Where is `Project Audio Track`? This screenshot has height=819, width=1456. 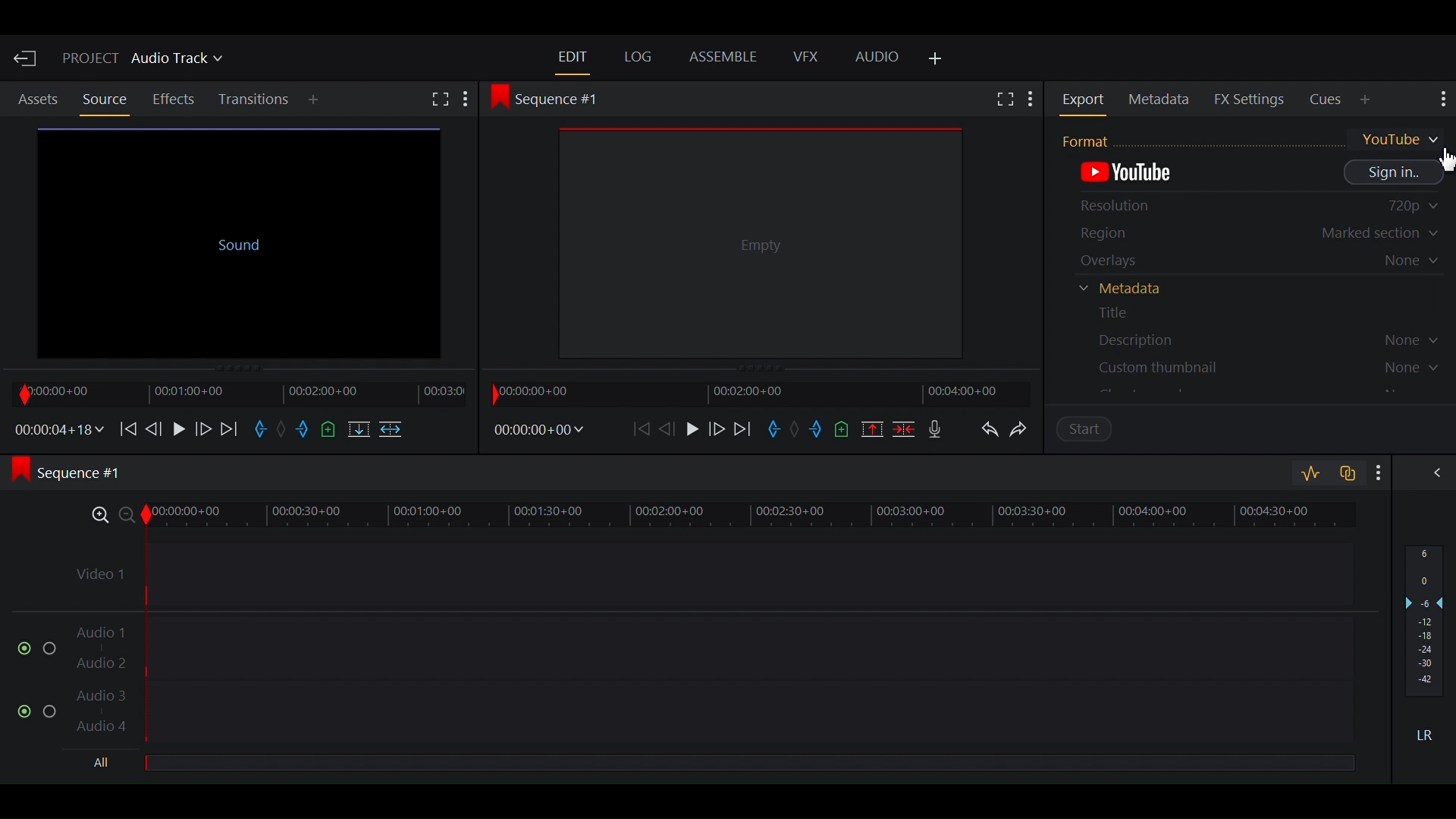
Project Audio Track is located at coordinates (144, 61).